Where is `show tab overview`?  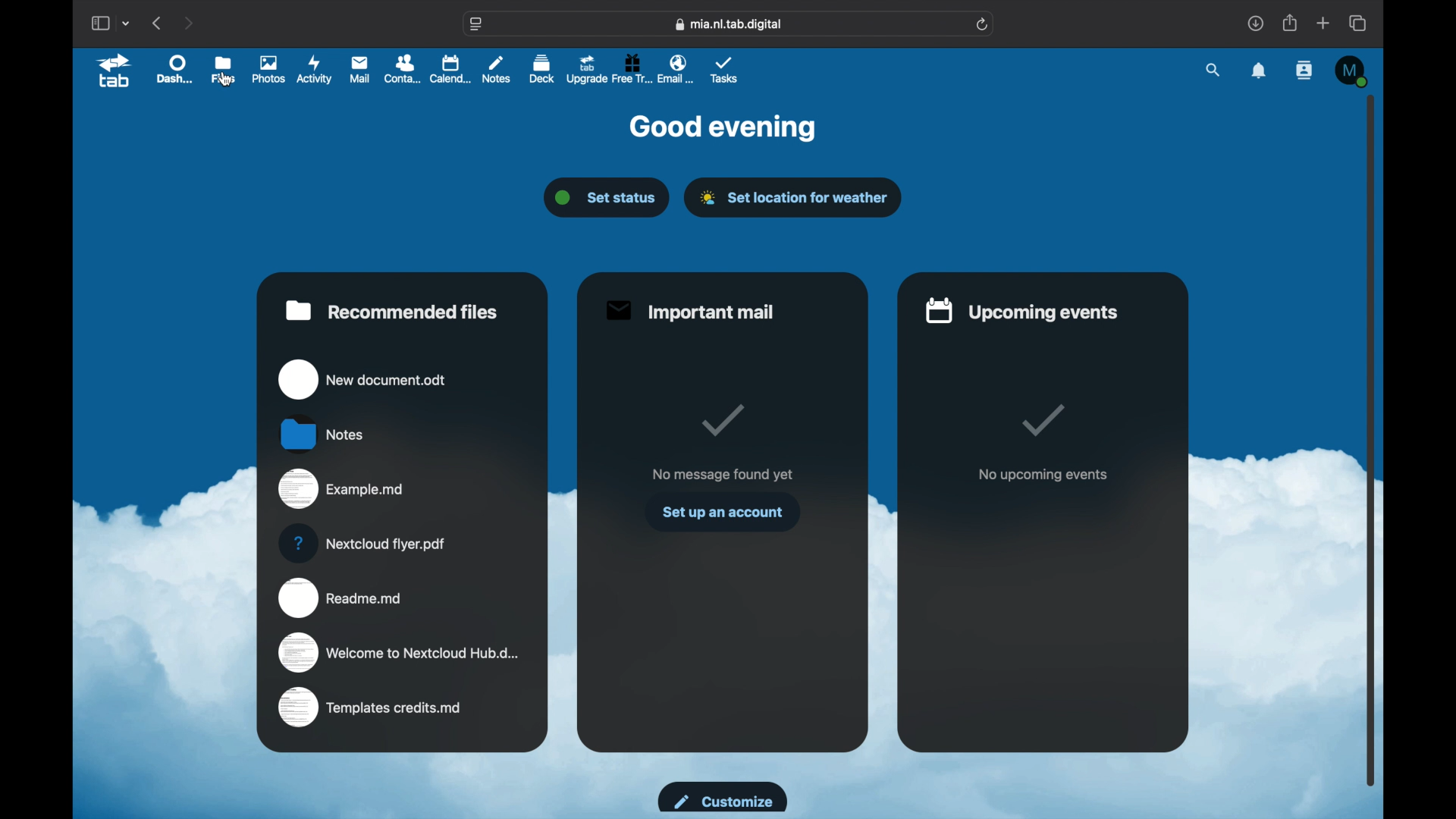 show tab overview is located at coordinates (1360, 23).